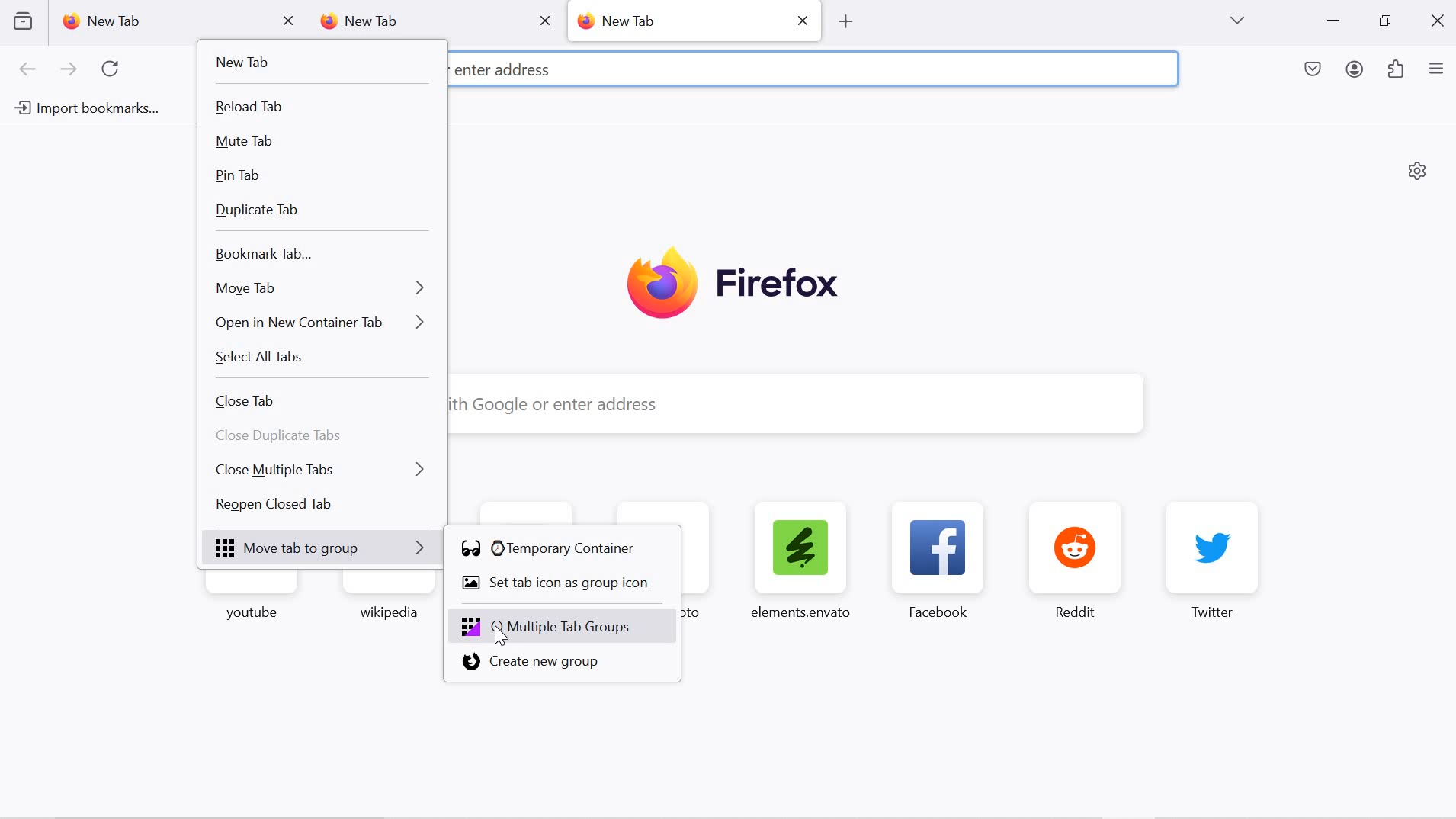 This screenshot has height=819, width=1456. What do you see at coordinates (114, 69) in the screenshot?
I see `reload` at bounding box center [114, 69].